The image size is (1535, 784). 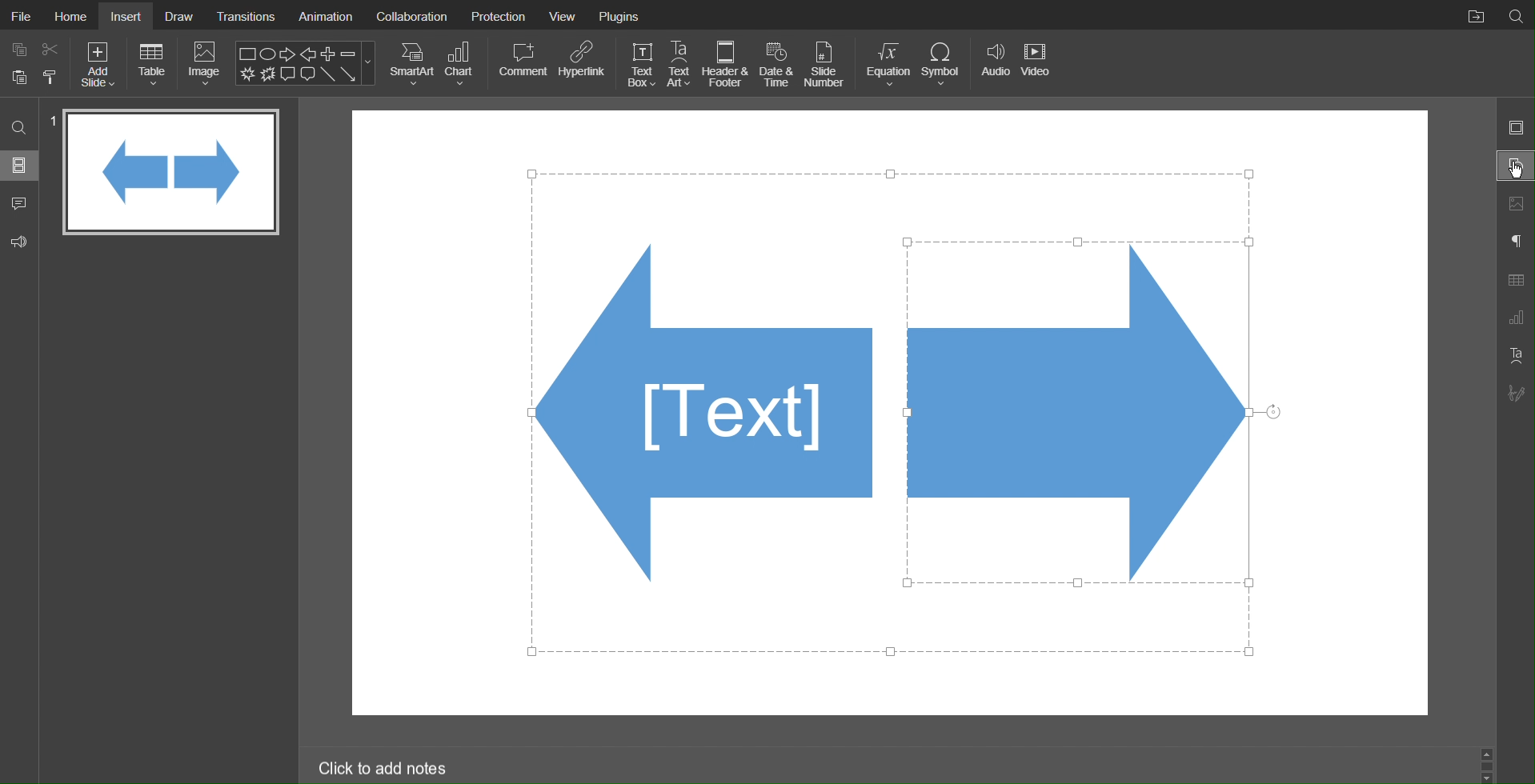 I want to click on Shape Settings, so click(x=1515, y=166).